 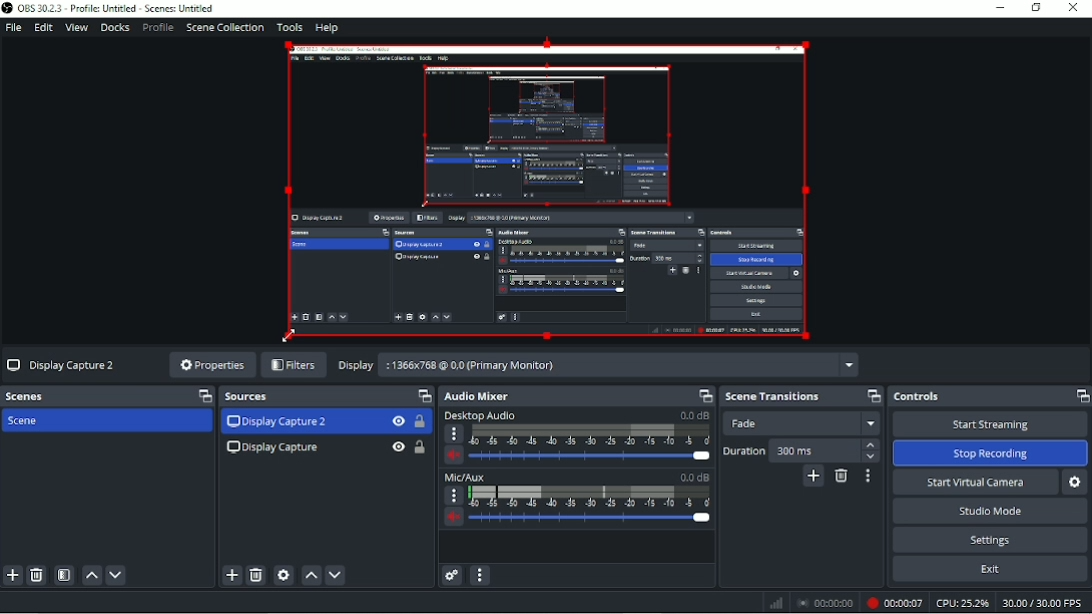 What do you see at coordinates (336, 576) in the screenshot?
I see `Move source(s) down` at bounding box center [336, 576].